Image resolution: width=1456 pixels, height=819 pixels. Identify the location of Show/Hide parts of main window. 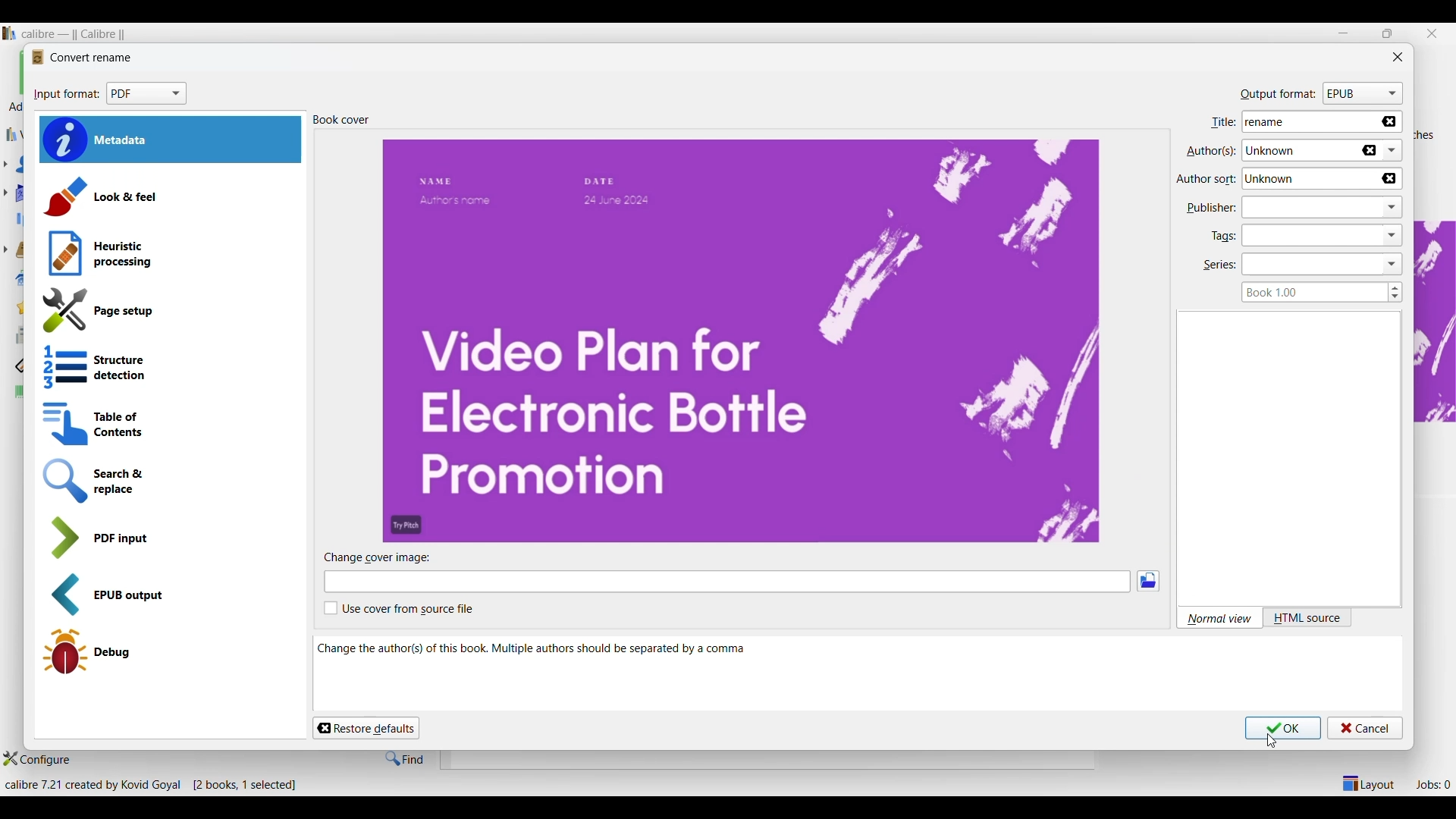
(1367, 784).